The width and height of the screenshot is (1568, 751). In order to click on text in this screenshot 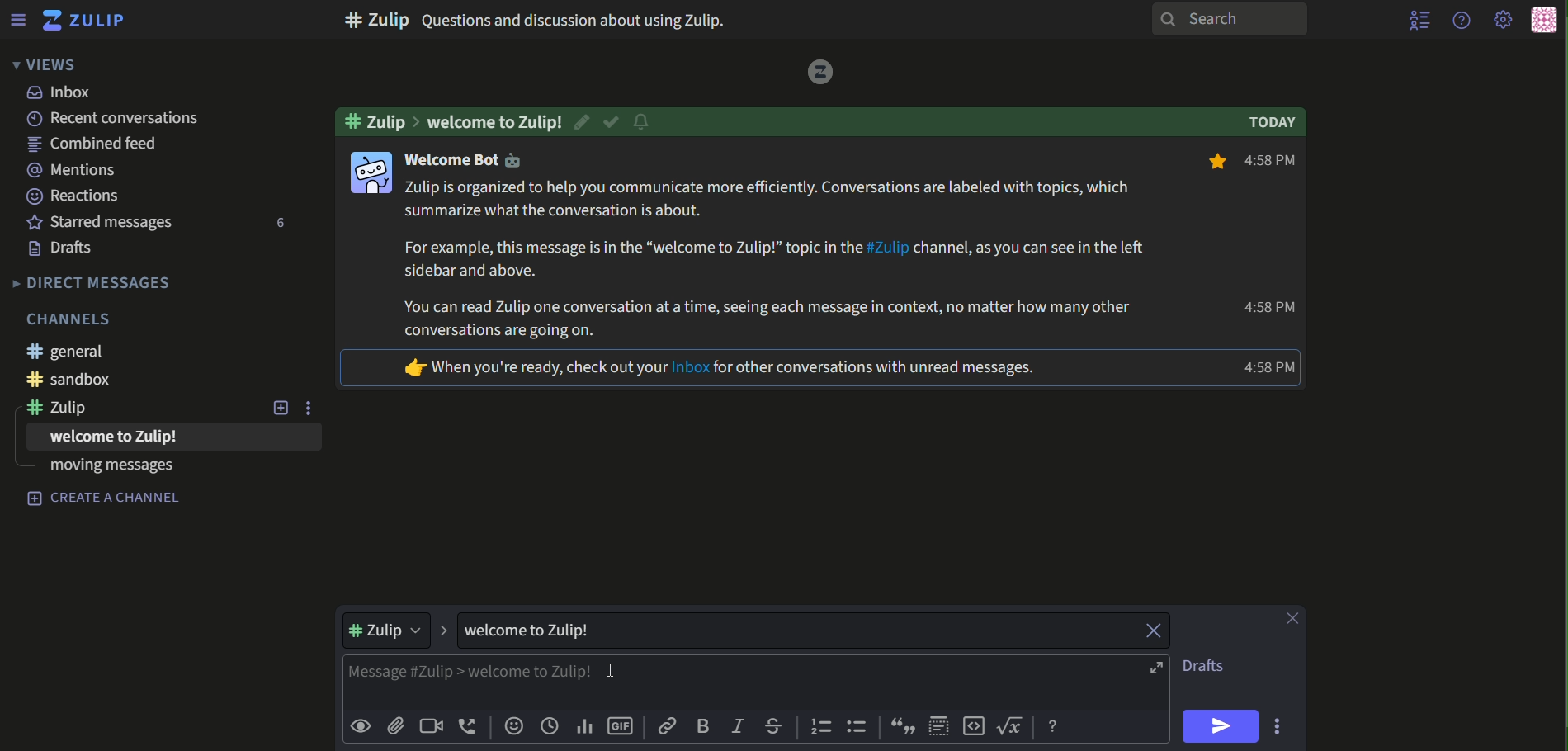, I will do `click(67, 249)`.